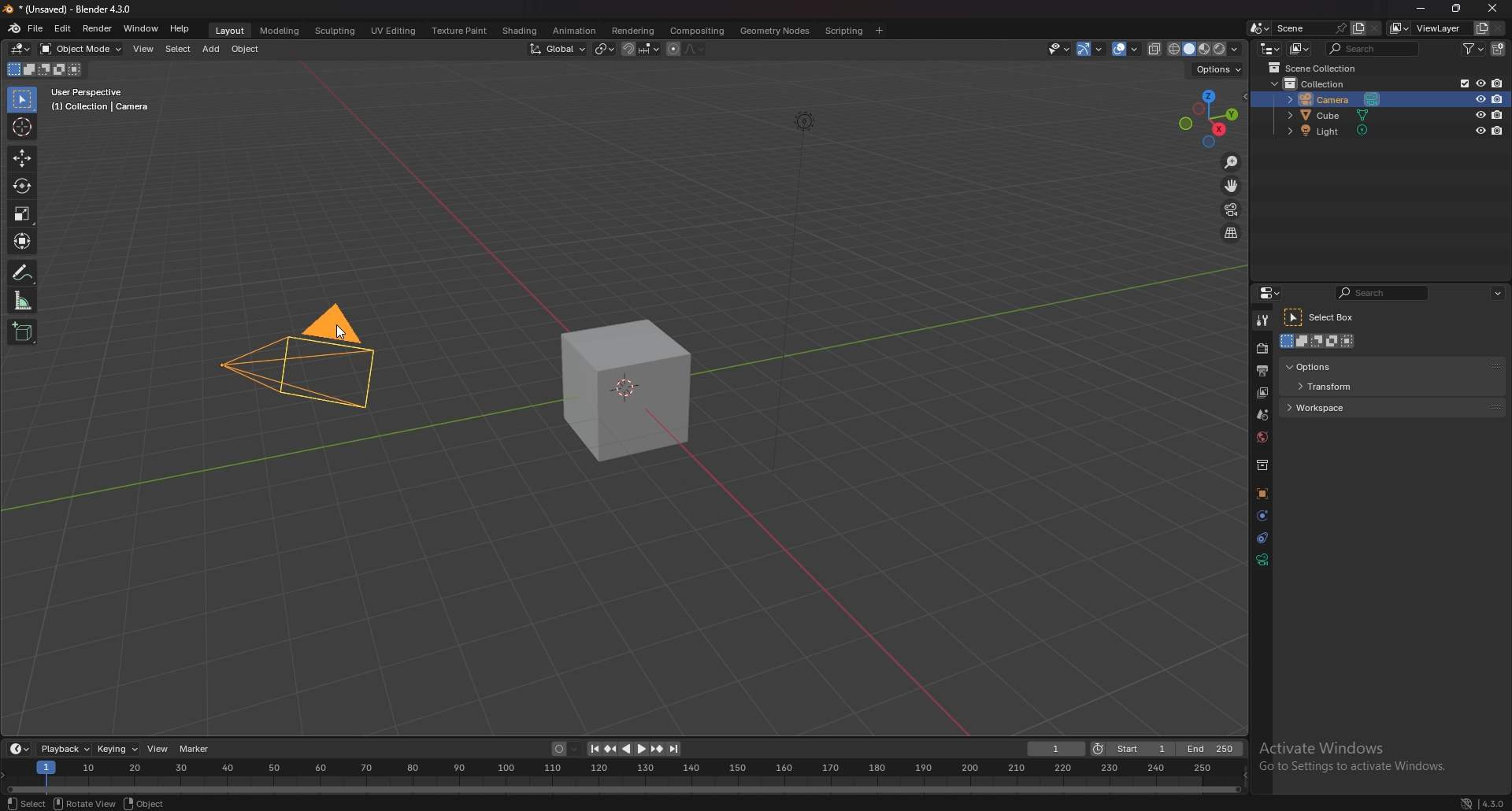 Image resolution: width=1512 pixels, height=811 pixels. Describe the element at coordinates (37, 29) in the screenshot. I see `file` at that location.